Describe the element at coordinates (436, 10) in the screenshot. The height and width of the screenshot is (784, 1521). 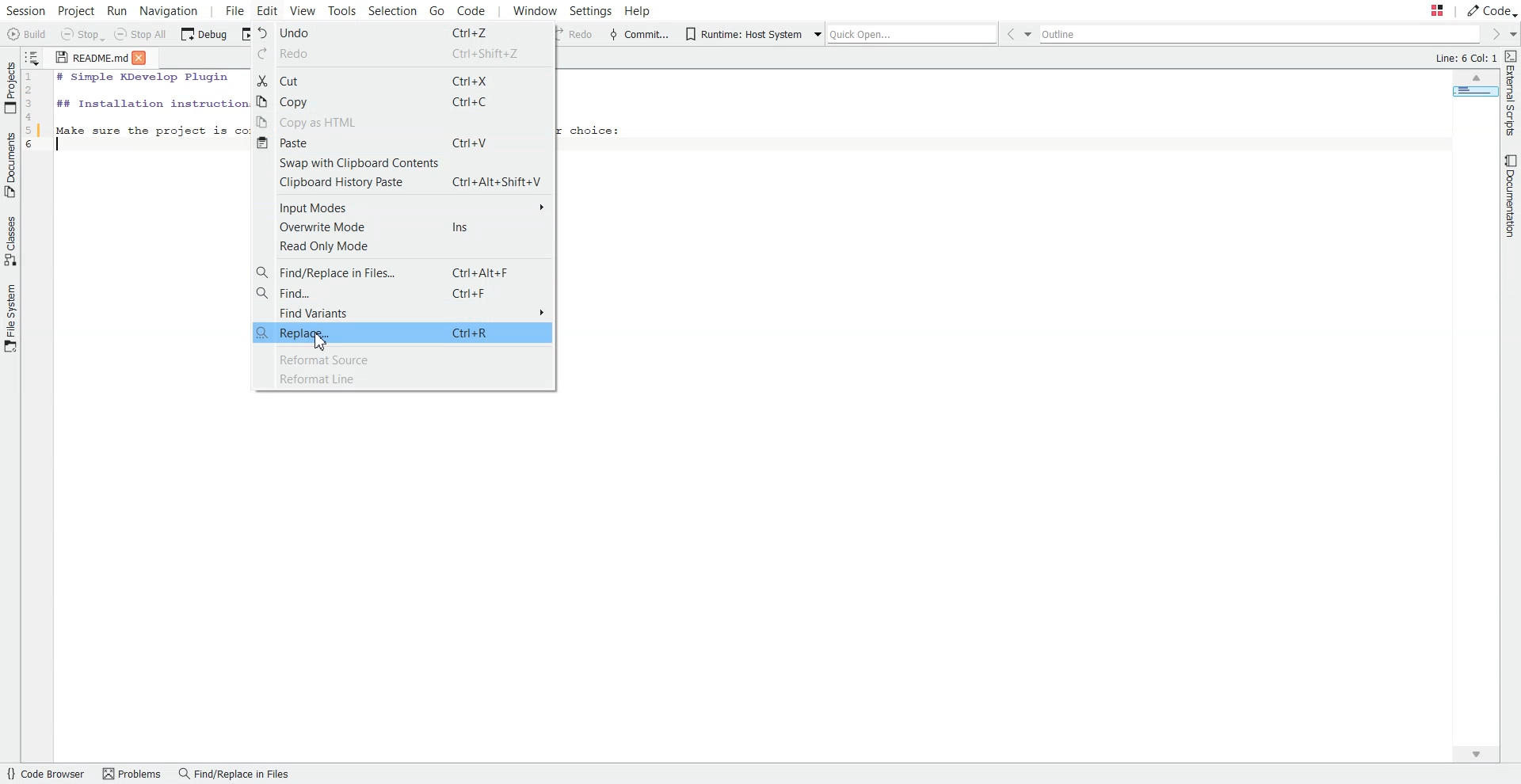
I see `Go` at that location.